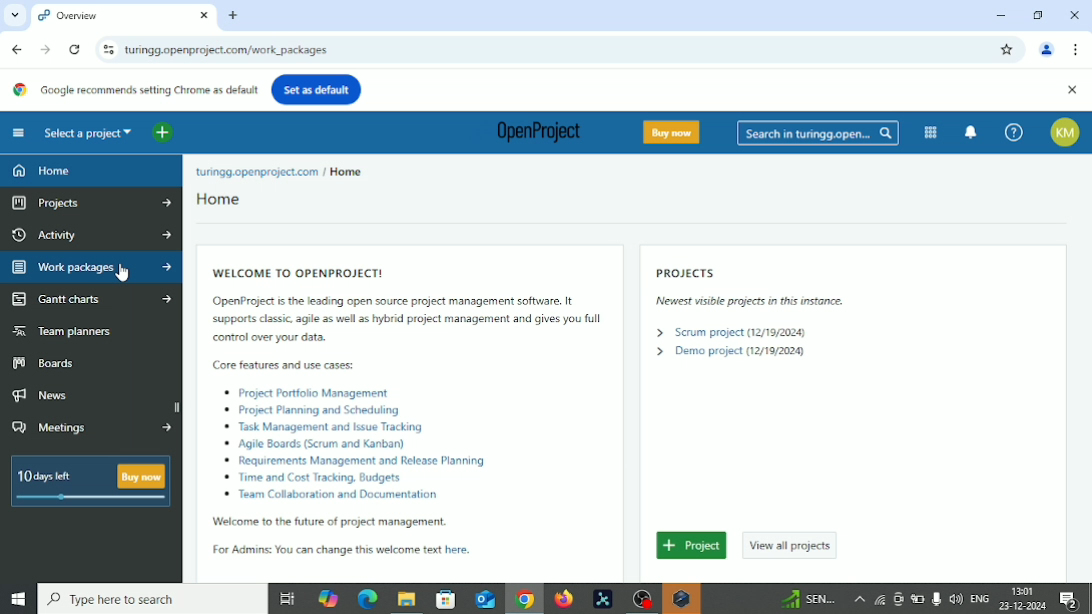 This screenshot has height=614, width=1092. Describe the element at coordinates (916, 599) in the screenshot. I see `Battery` at that location.